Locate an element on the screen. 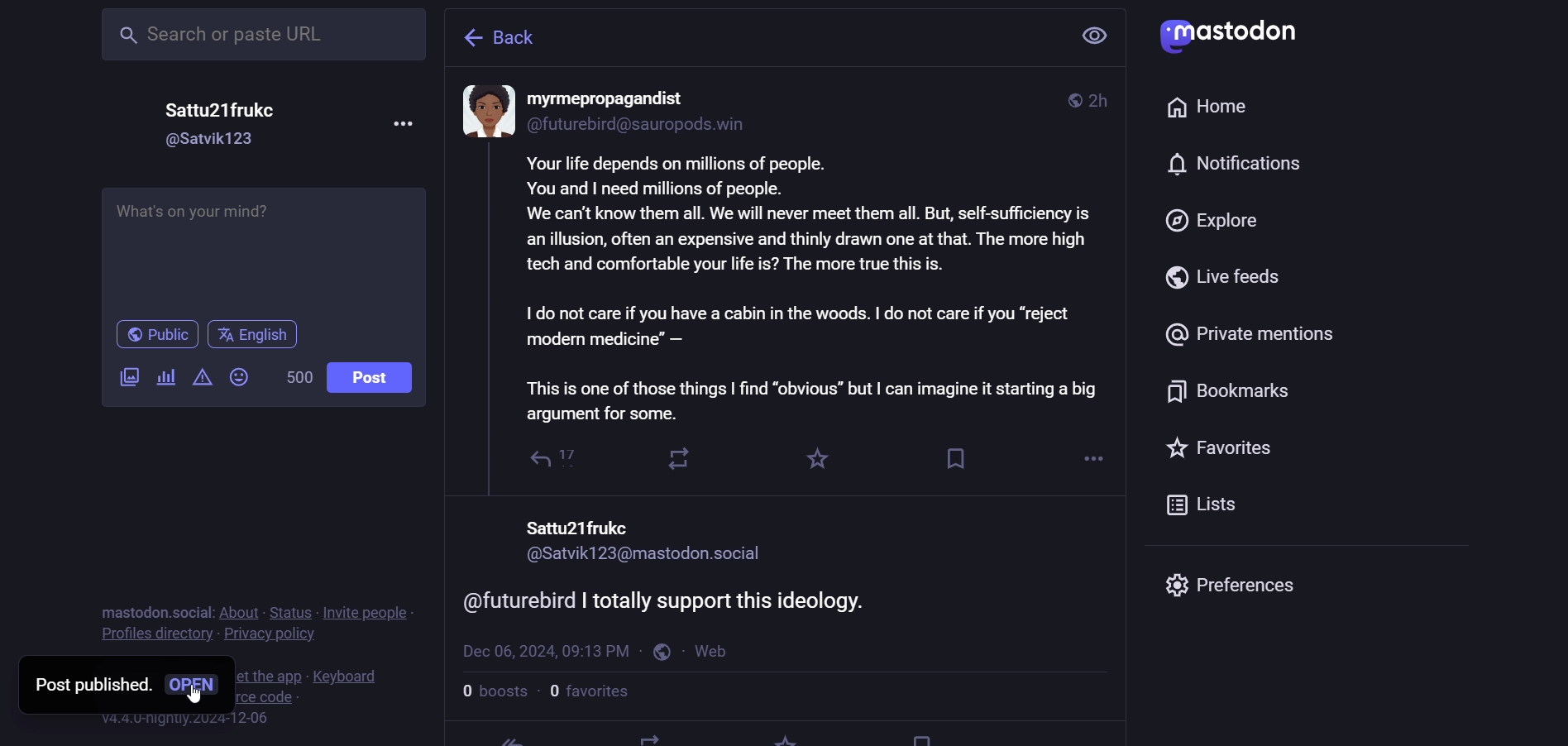 The image size is (1568, 746). live feed is located at coordinates (1224, 276).